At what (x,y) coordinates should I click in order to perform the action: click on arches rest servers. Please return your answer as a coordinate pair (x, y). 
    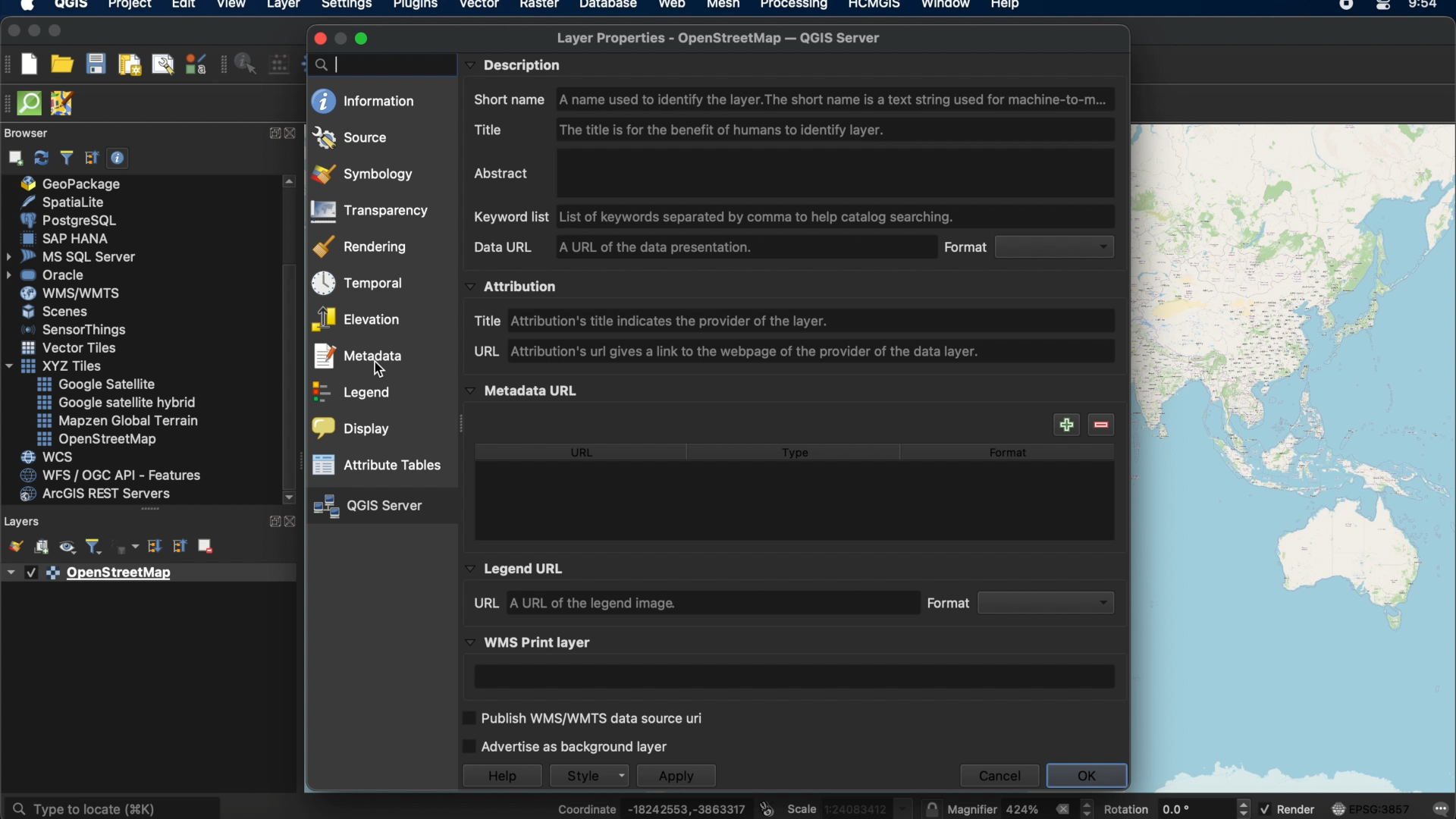
    Looking at the image, I should click on (101, 495).